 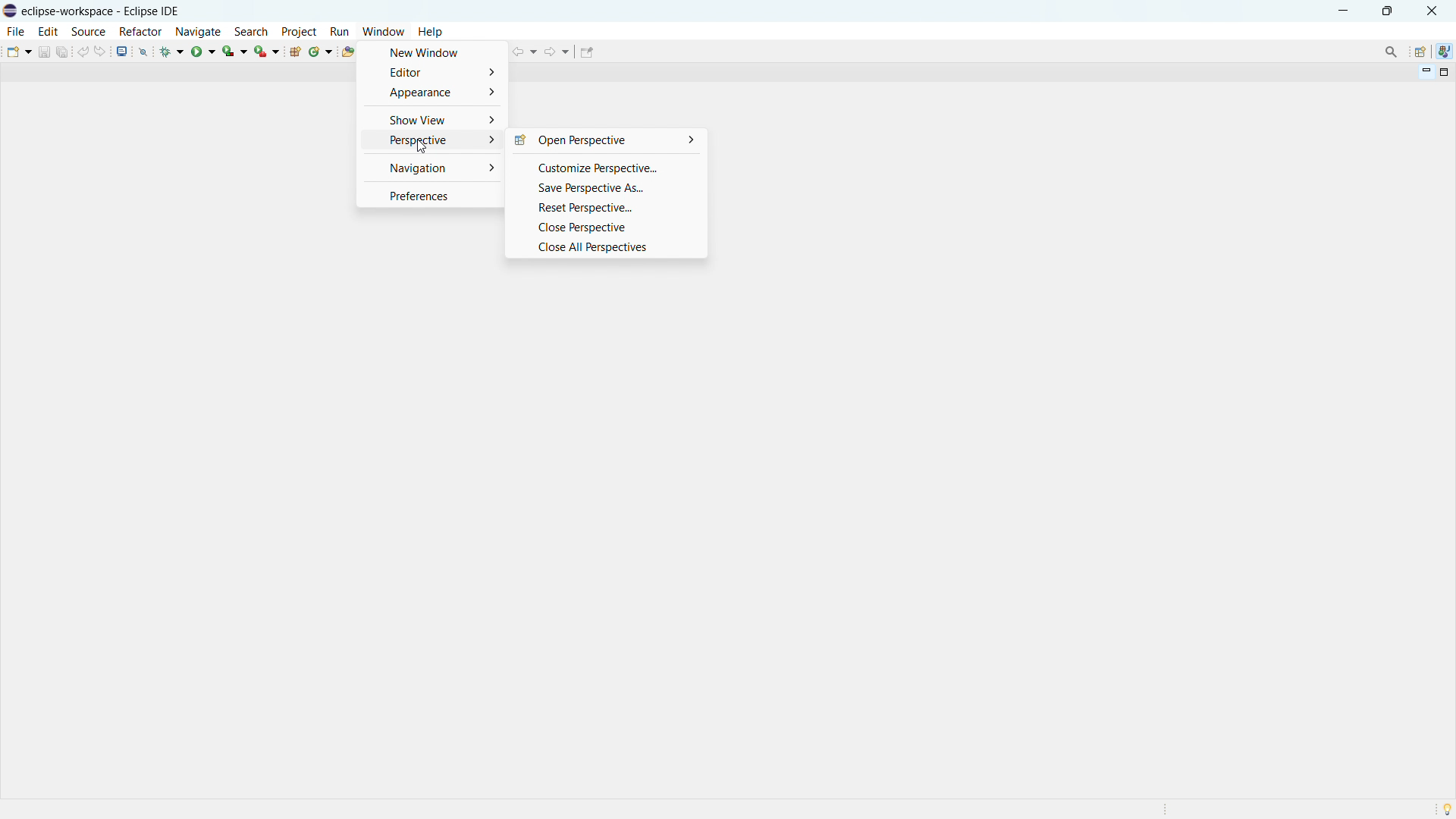 What do you see at coordinates (430, 93) in the screenshot?
I see `appearance` at bounding box center [430, 93].